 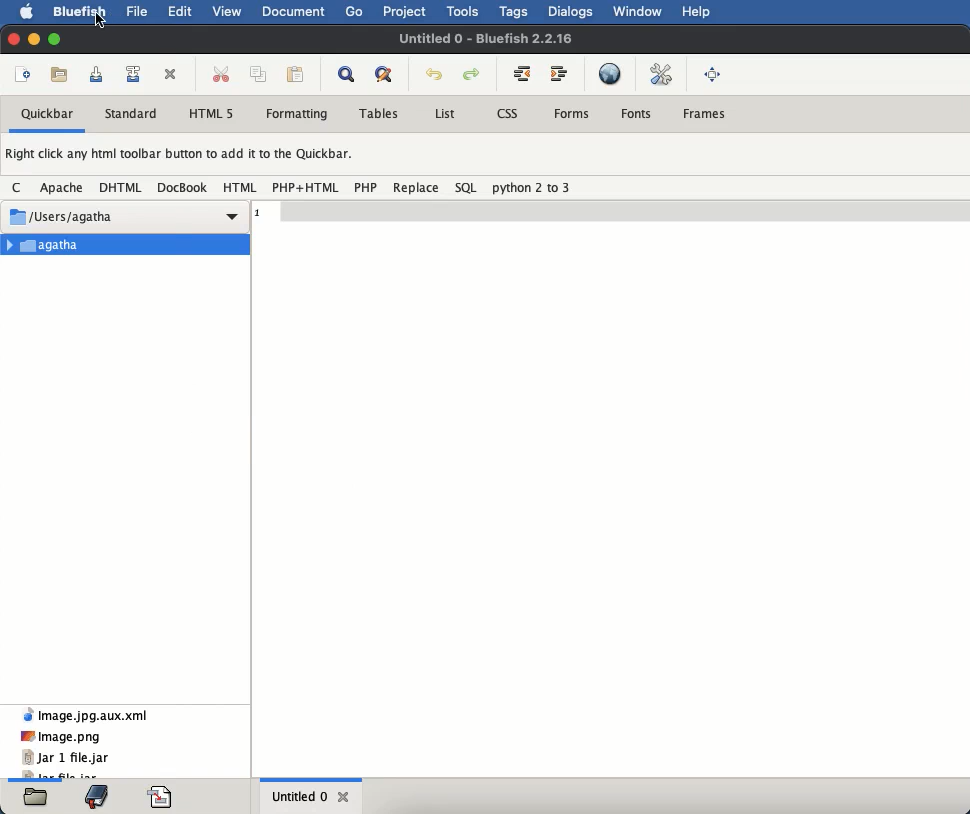 I want to click on full screen, so click(x=712, y=76).